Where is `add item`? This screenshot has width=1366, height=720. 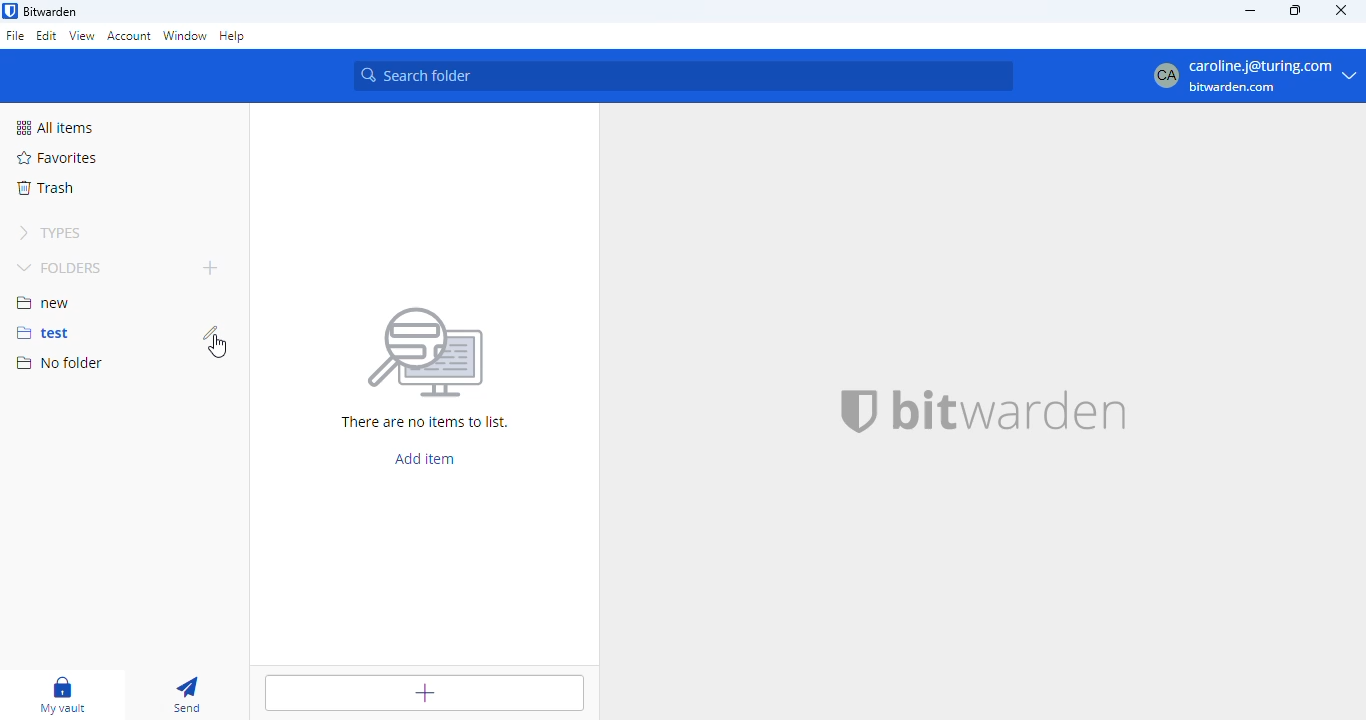 add item is located at coordinates (424, 693).